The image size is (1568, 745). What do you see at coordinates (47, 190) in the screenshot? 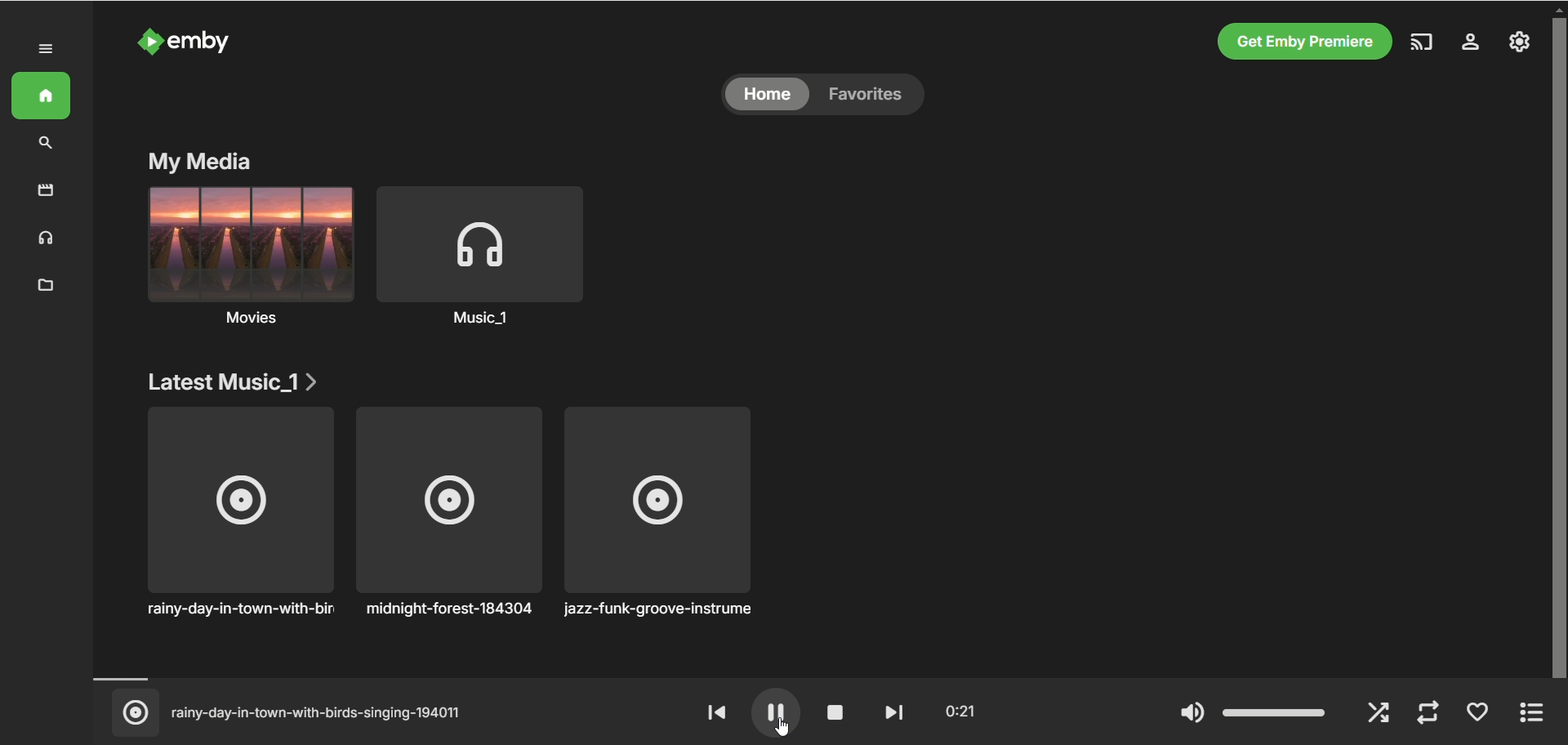
I see `movies` at bounding box center [47, 190].